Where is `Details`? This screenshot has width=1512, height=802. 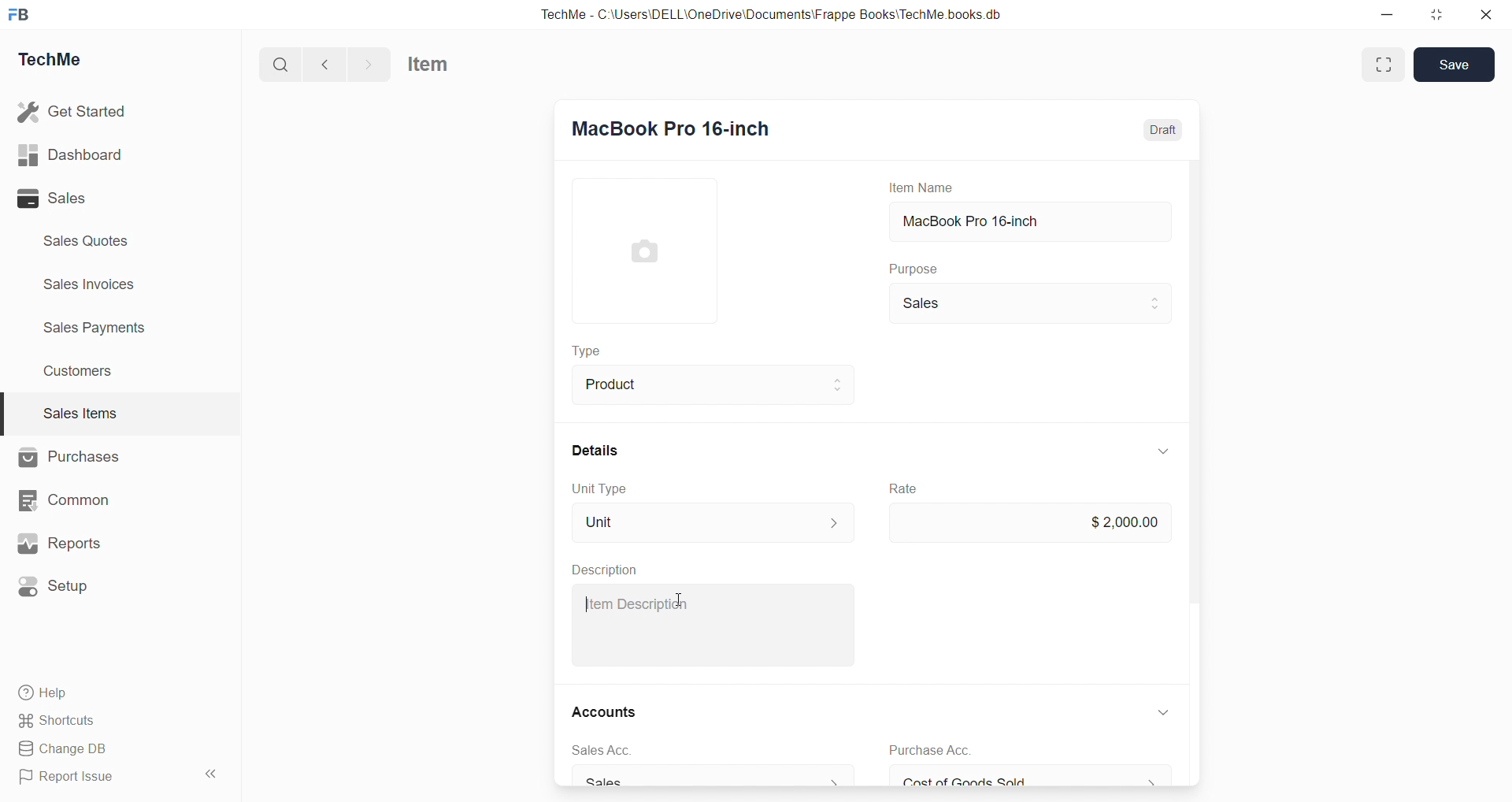
Details is located at coordinates (595, 451).